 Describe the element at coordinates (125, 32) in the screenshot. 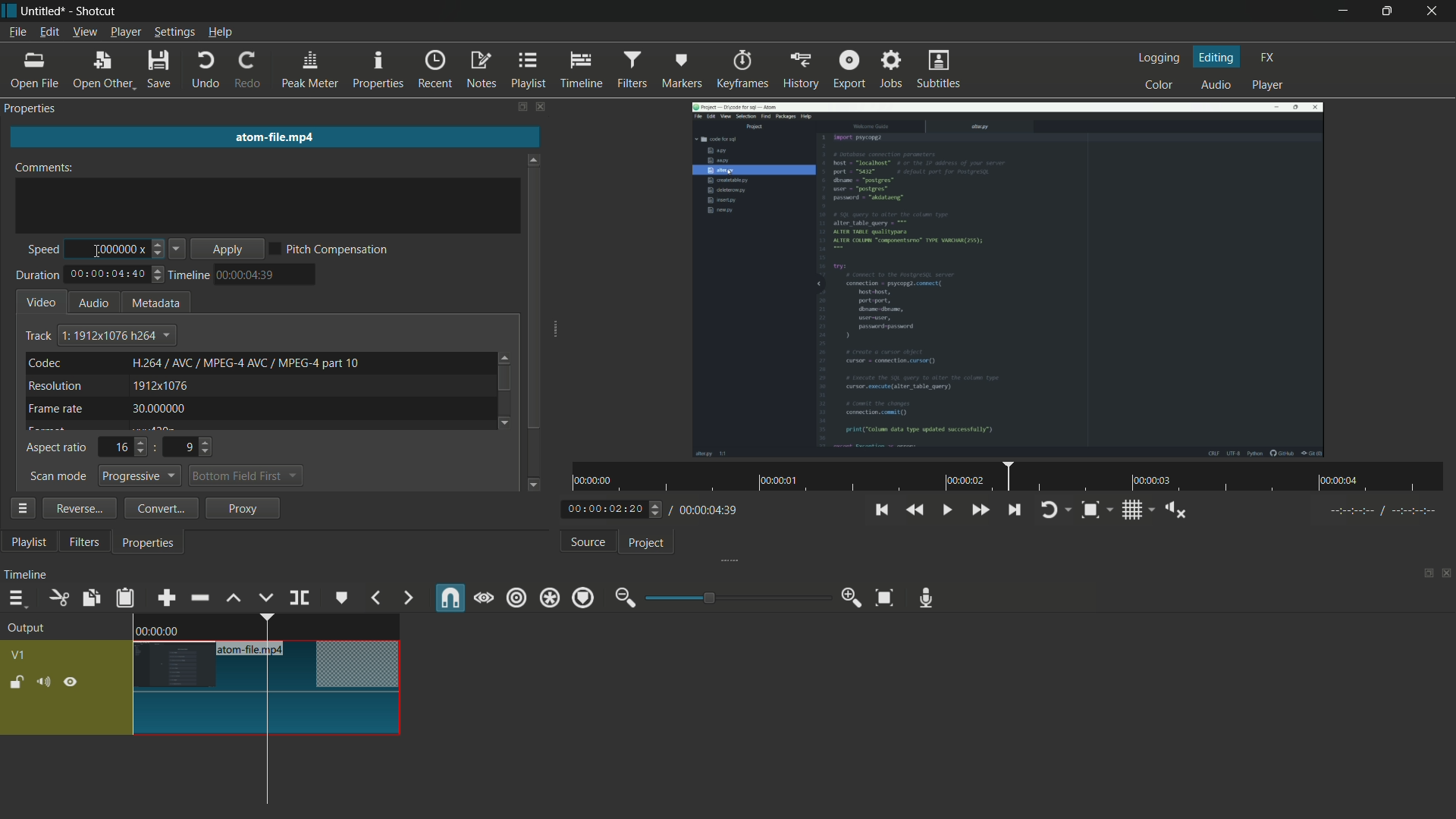

I see `player menu` at that location.